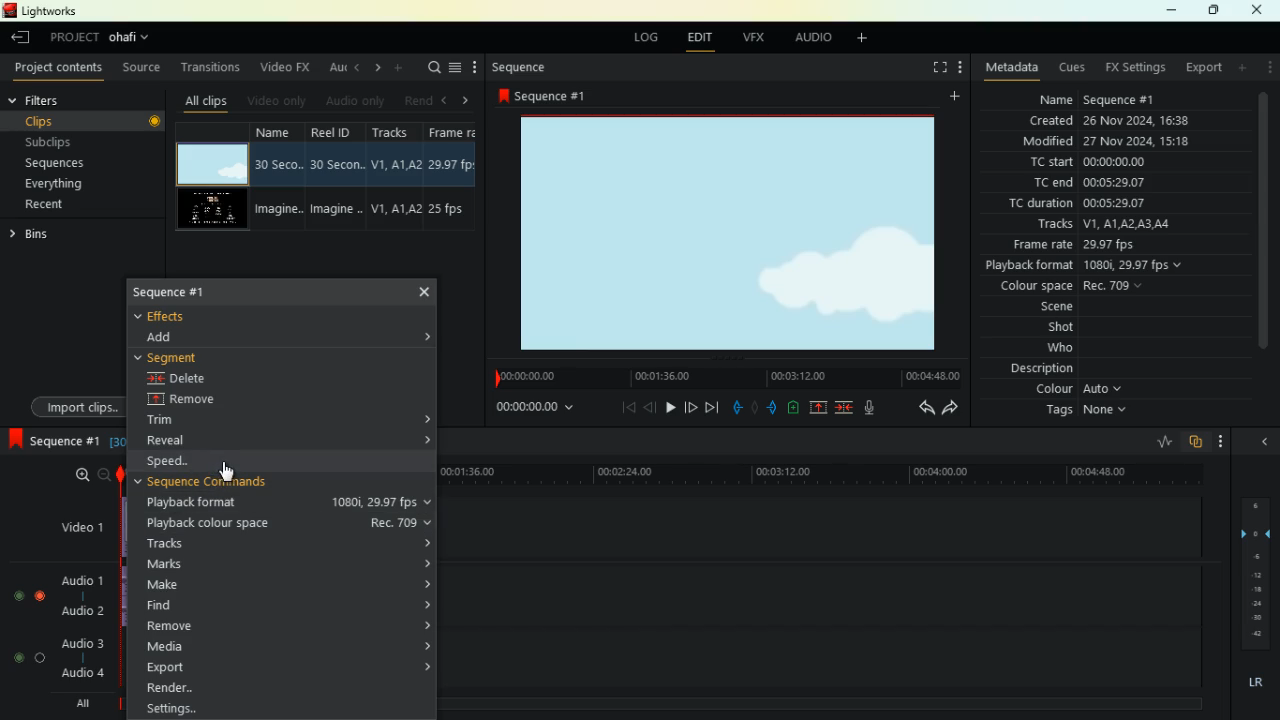 The image size is (1280, 720). Describe the element at coordinates (78, 577) in the screenshot. I see `audio1` at that location.